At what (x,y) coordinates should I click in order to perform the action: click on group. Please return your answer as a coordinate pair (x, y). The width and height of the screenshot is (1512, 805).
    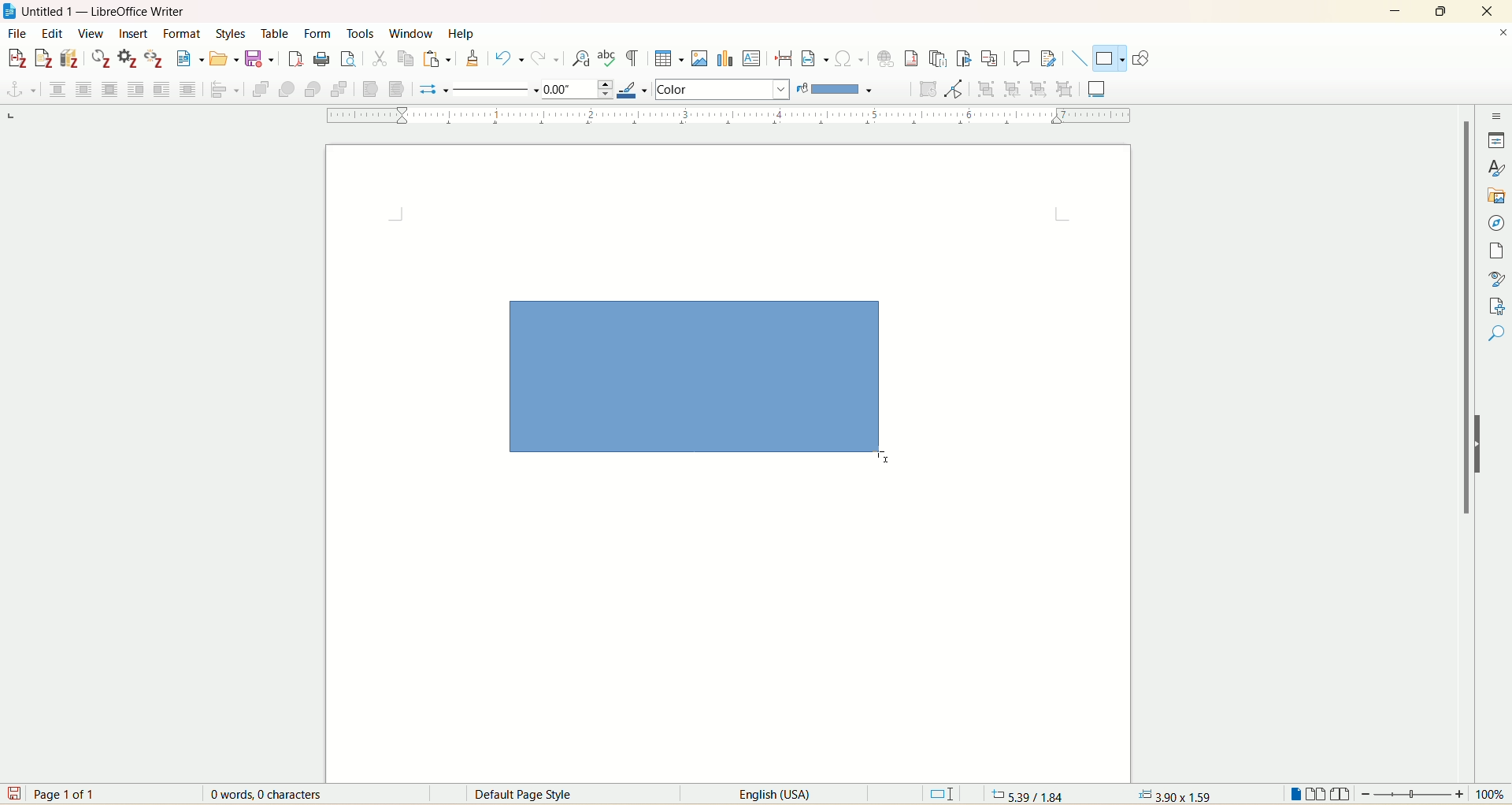
    Looking at the image, I should click on (988, 90).